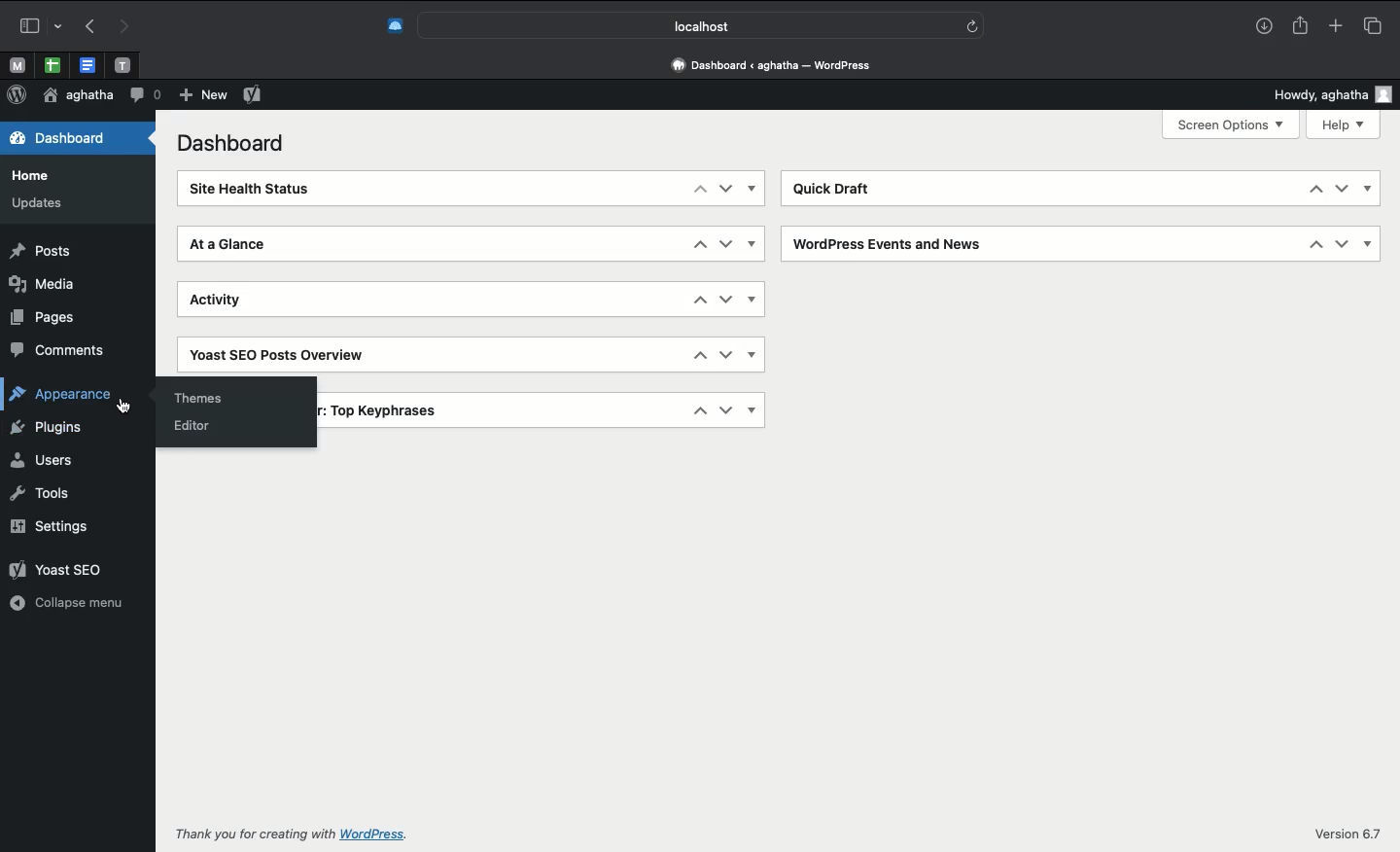 This screenshot has height=852, width=1400. What do you see at coordinates (700, 244) in the screenshot?
I see `Up` at bounding box center [700, 244].